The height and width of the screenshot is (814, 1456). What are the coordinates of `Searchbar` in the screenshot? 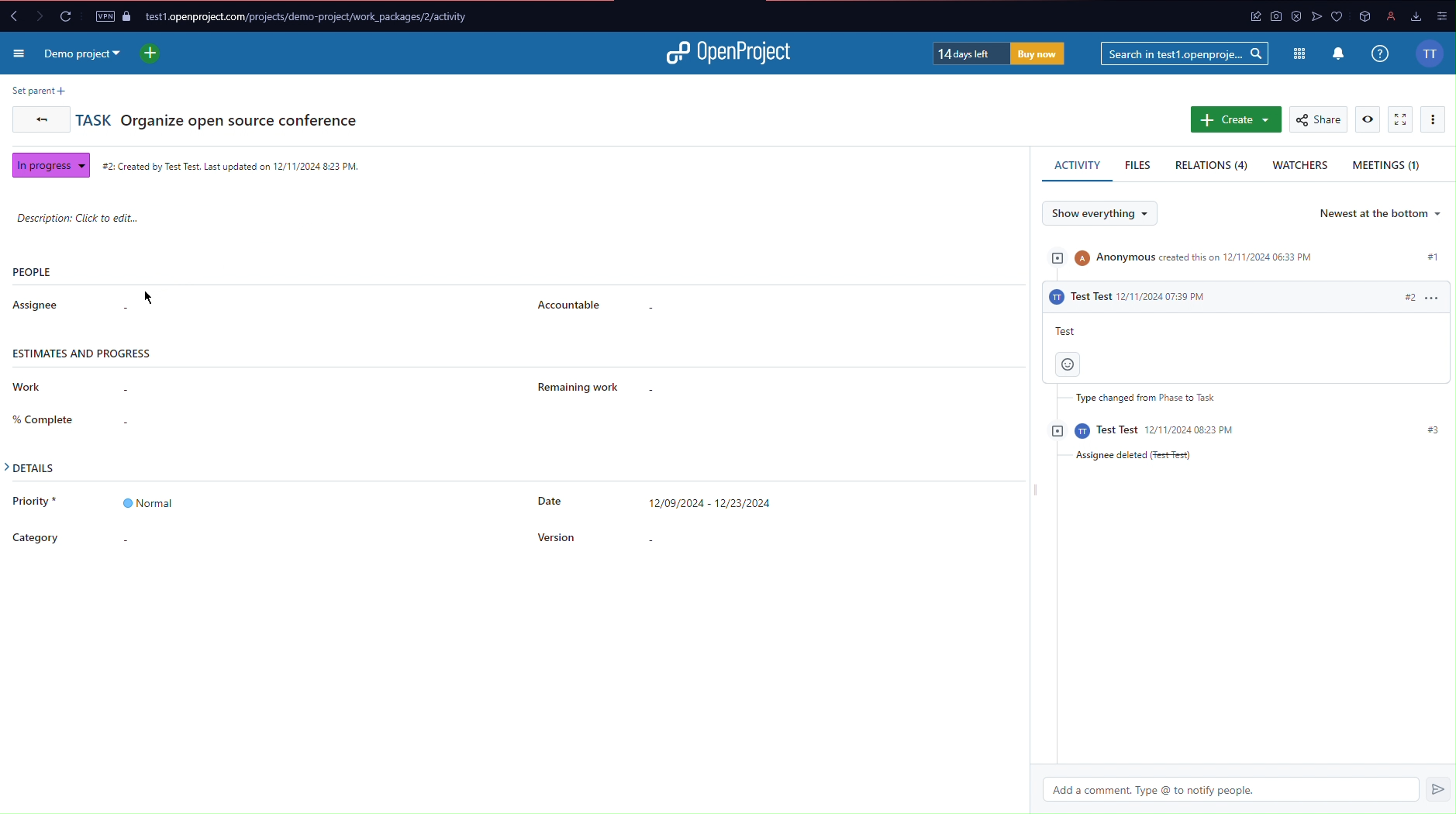 It's located at (1185, 54).